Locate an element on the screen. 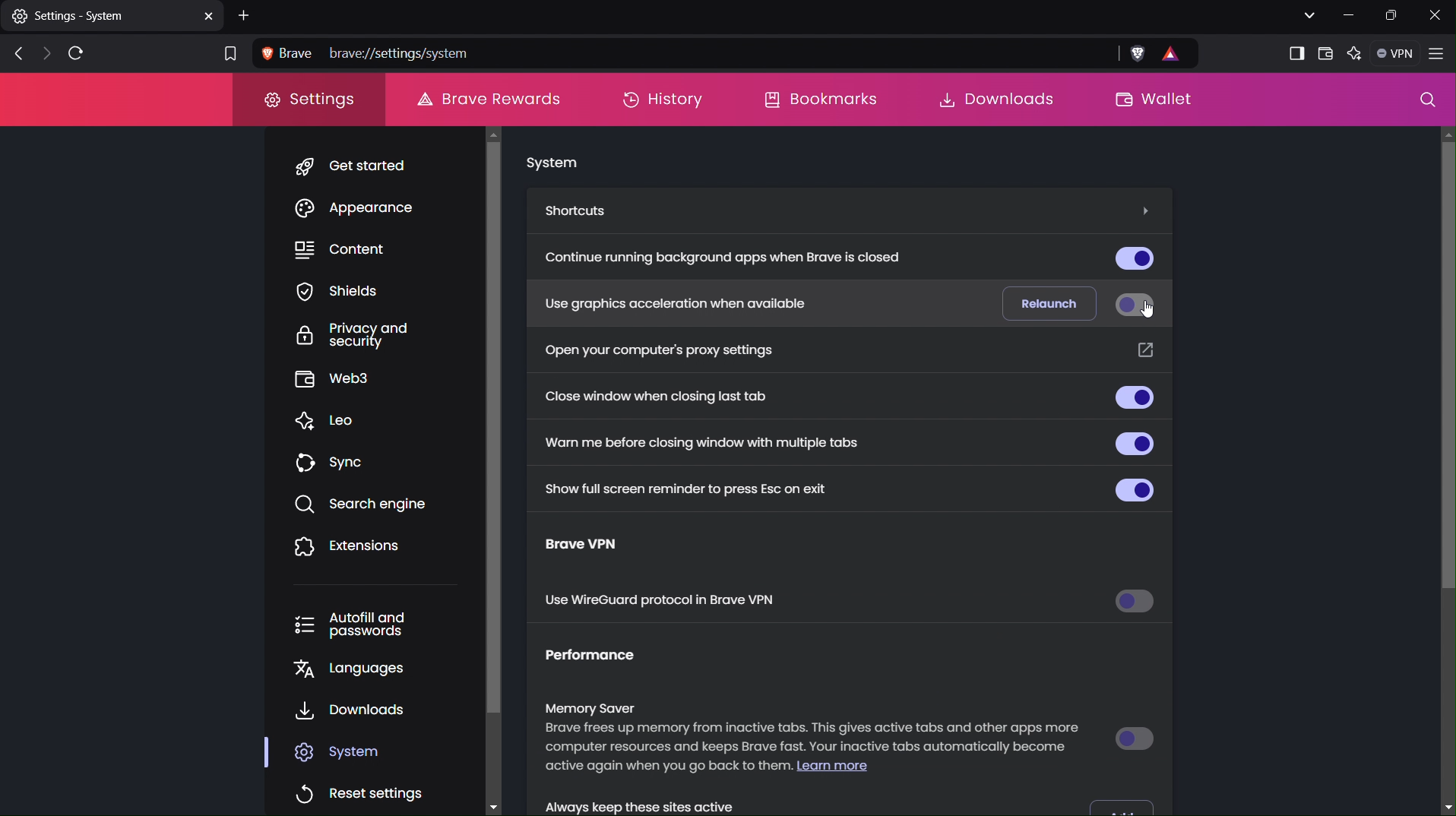 The height and width of the screenshot is (816, 1456). History is located at coordinates (661, 100).